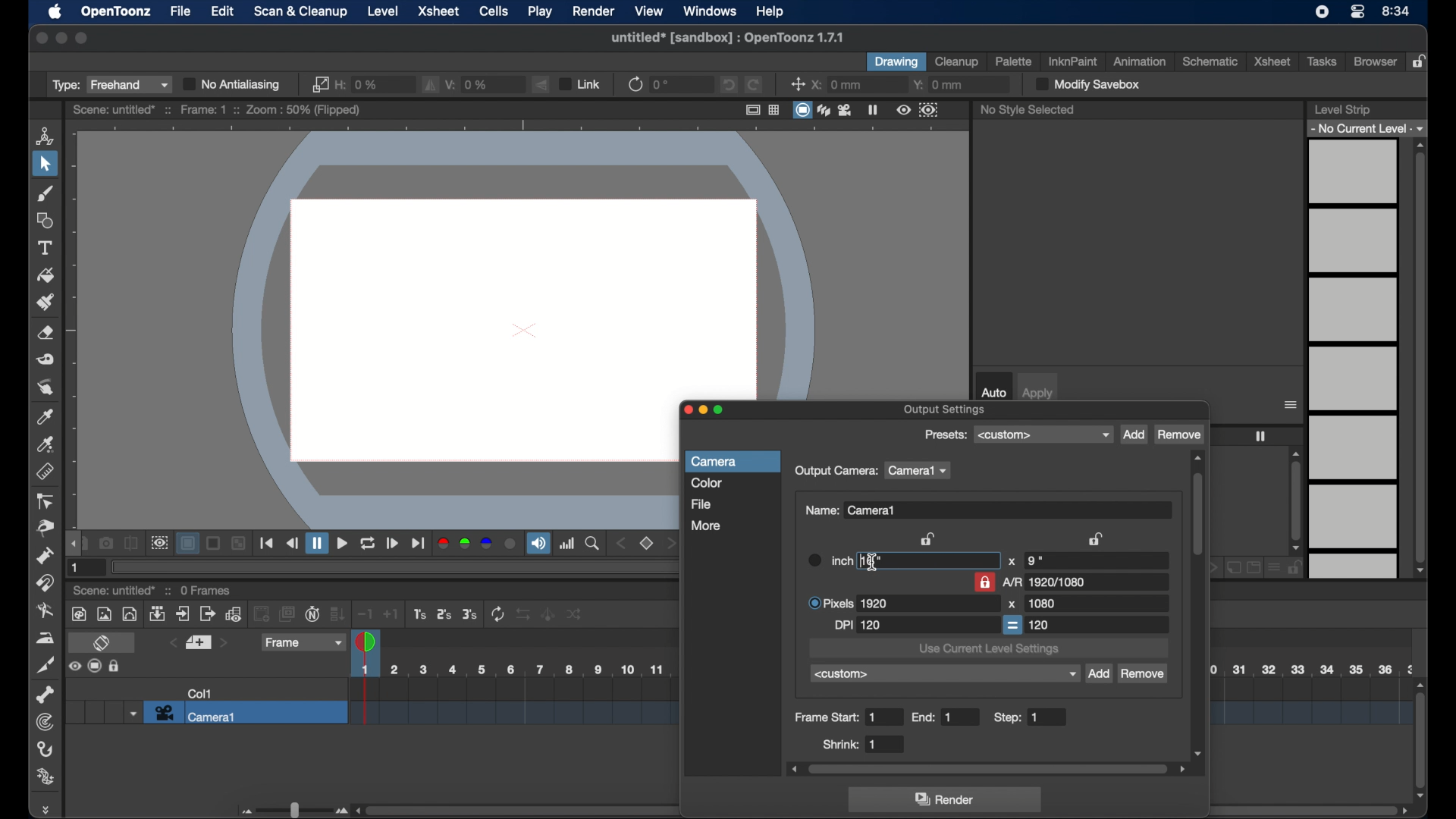  Describe the element at coordinates (1041, 603) in the screenshot. I see `1080` at that location.